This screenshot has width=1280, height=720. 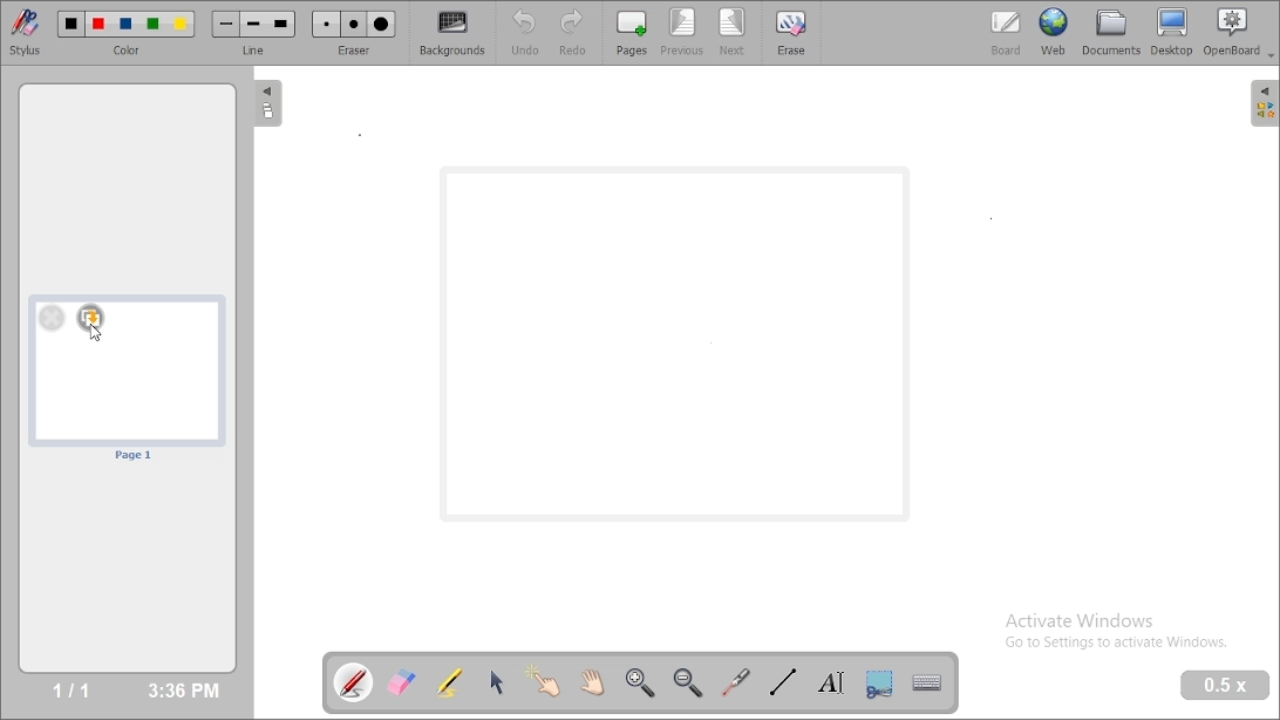 What do you see at coordinates (926, 682) in the screenshot?
I see `display virtual keyboard` at bounding box center [926, 682].